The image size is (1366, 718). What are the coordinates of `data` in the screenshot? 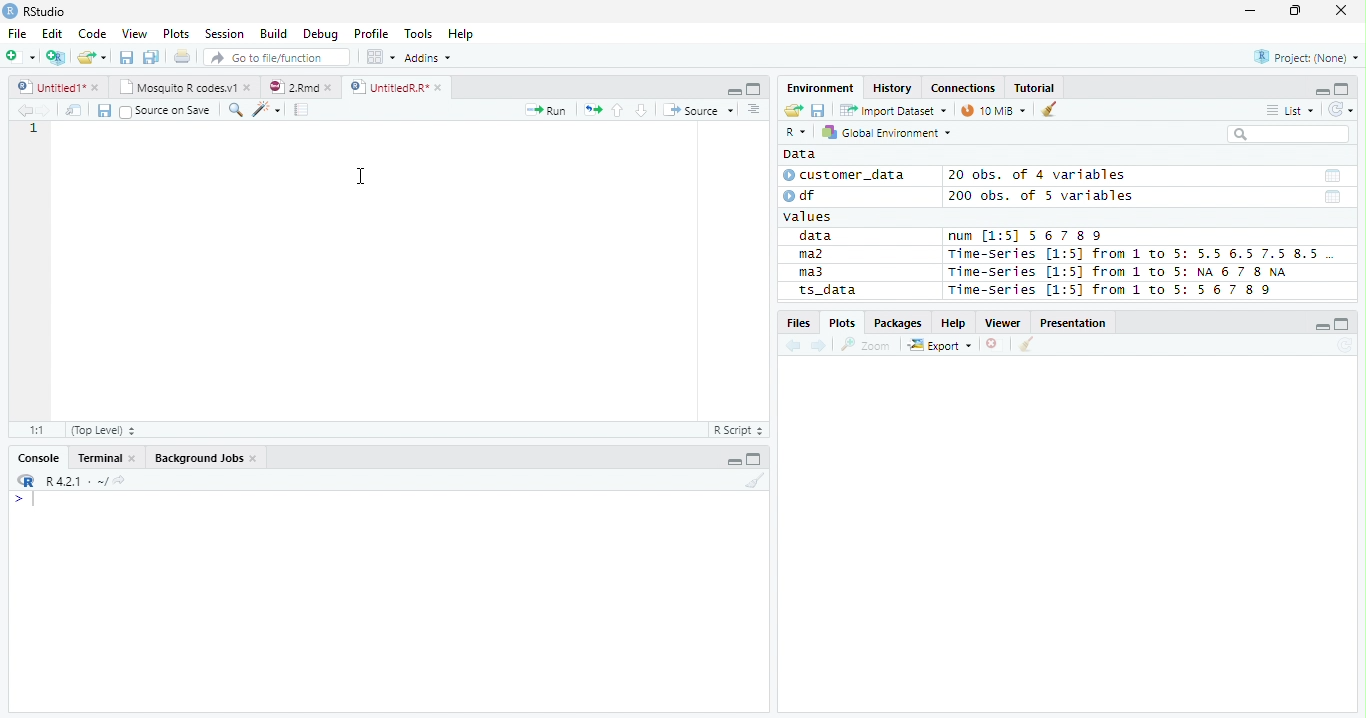 It's located at (819, 237).